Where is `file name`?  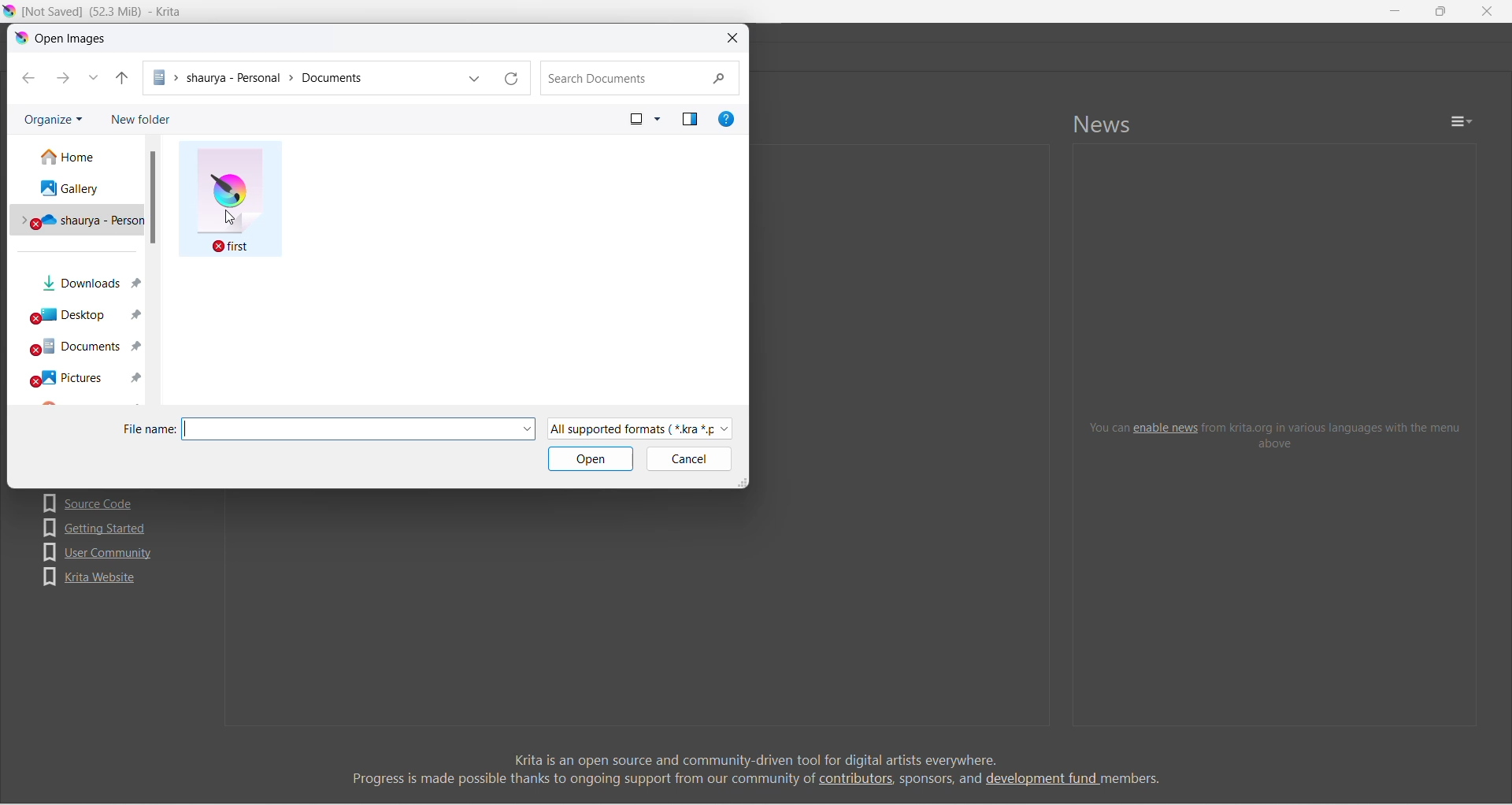
file name is located at coordinates (150, 429).